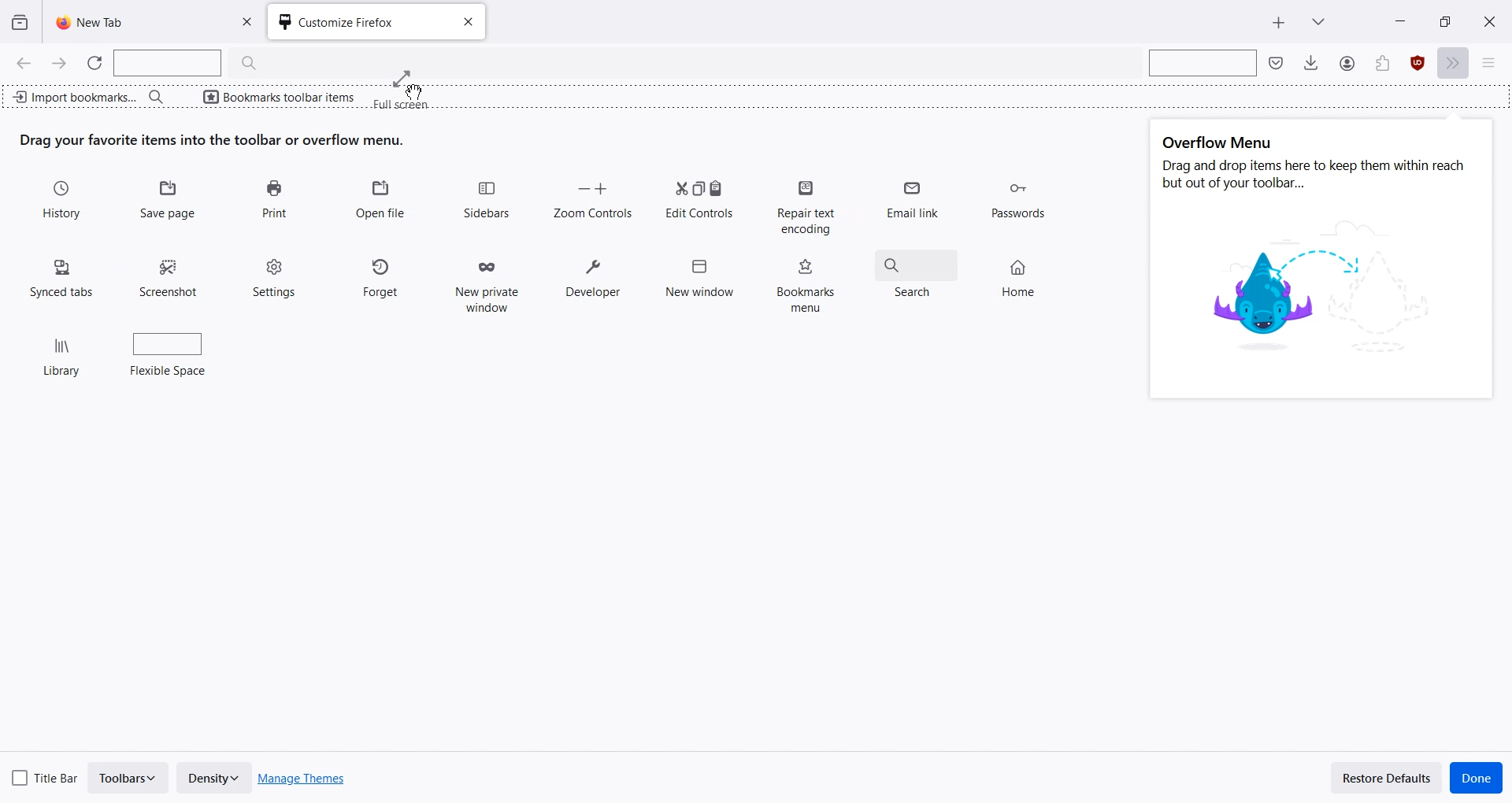 Image resolution: width=1512 pixels, height=803 pixels. Describe the element at coordinates (195, 63) in the screenshot. I see `Search Bar` at that location.